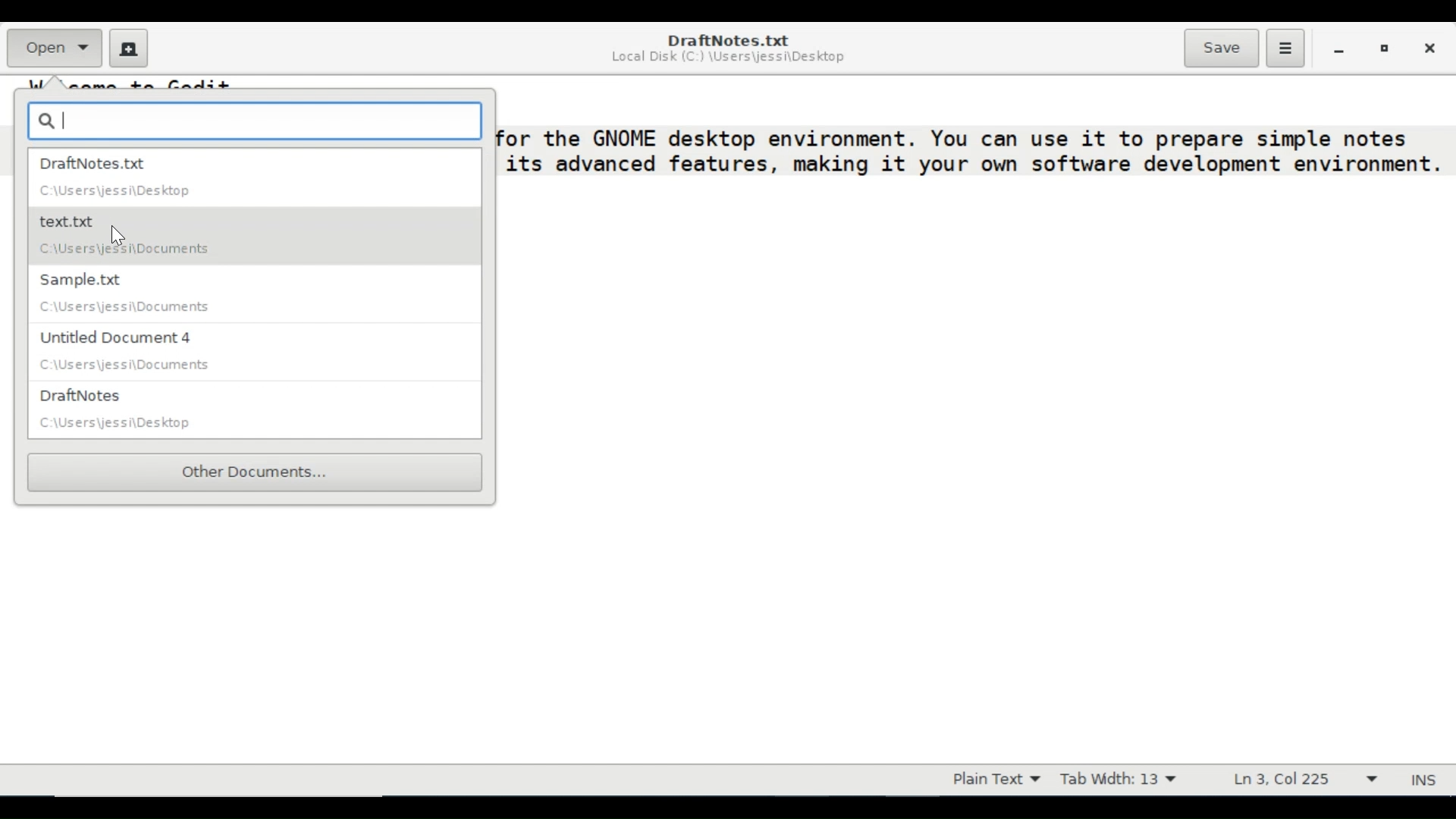  I want to click on Insert Mode, so click(1426, 780).